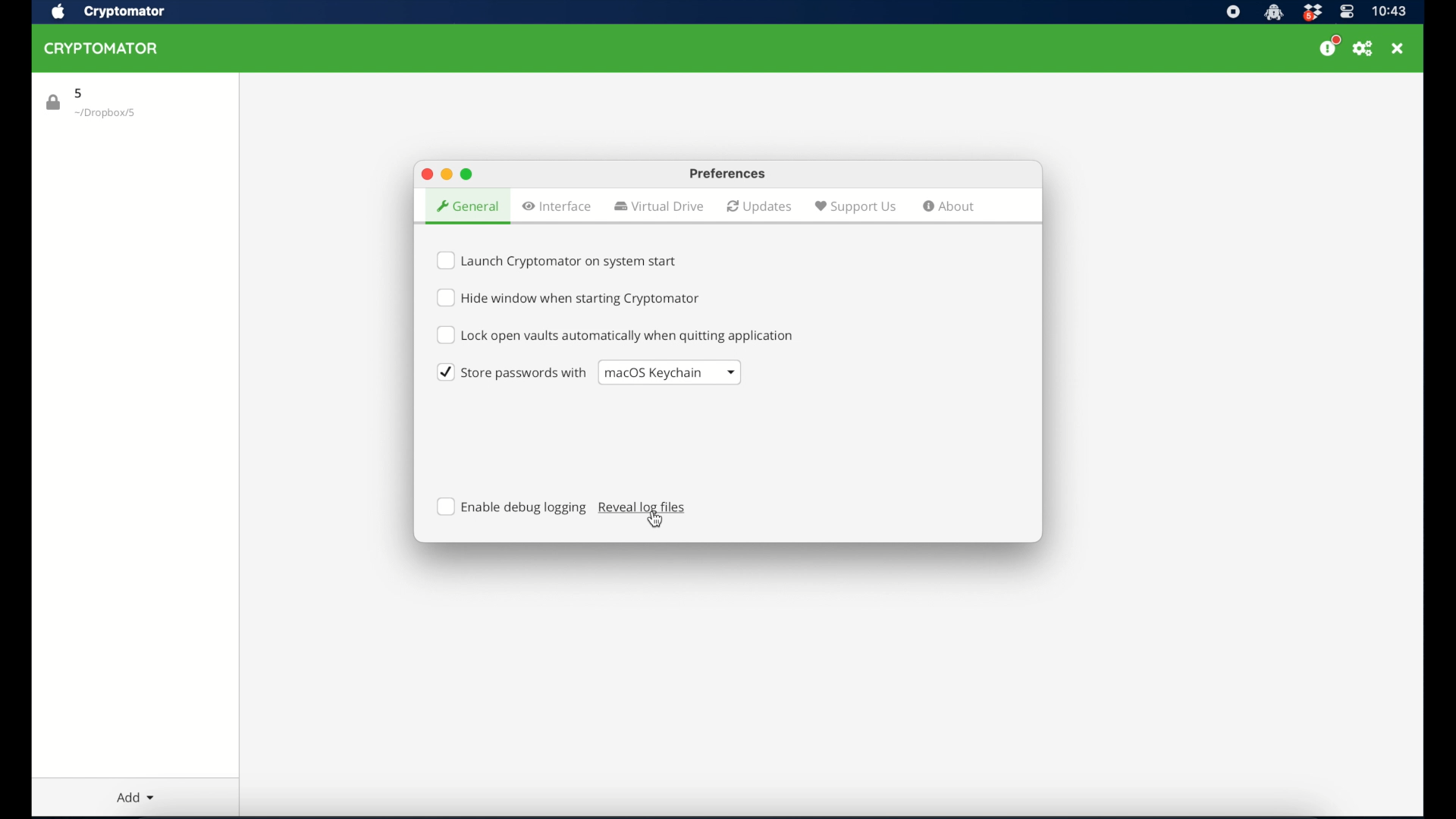  I want to click on about, so click(950, 206).